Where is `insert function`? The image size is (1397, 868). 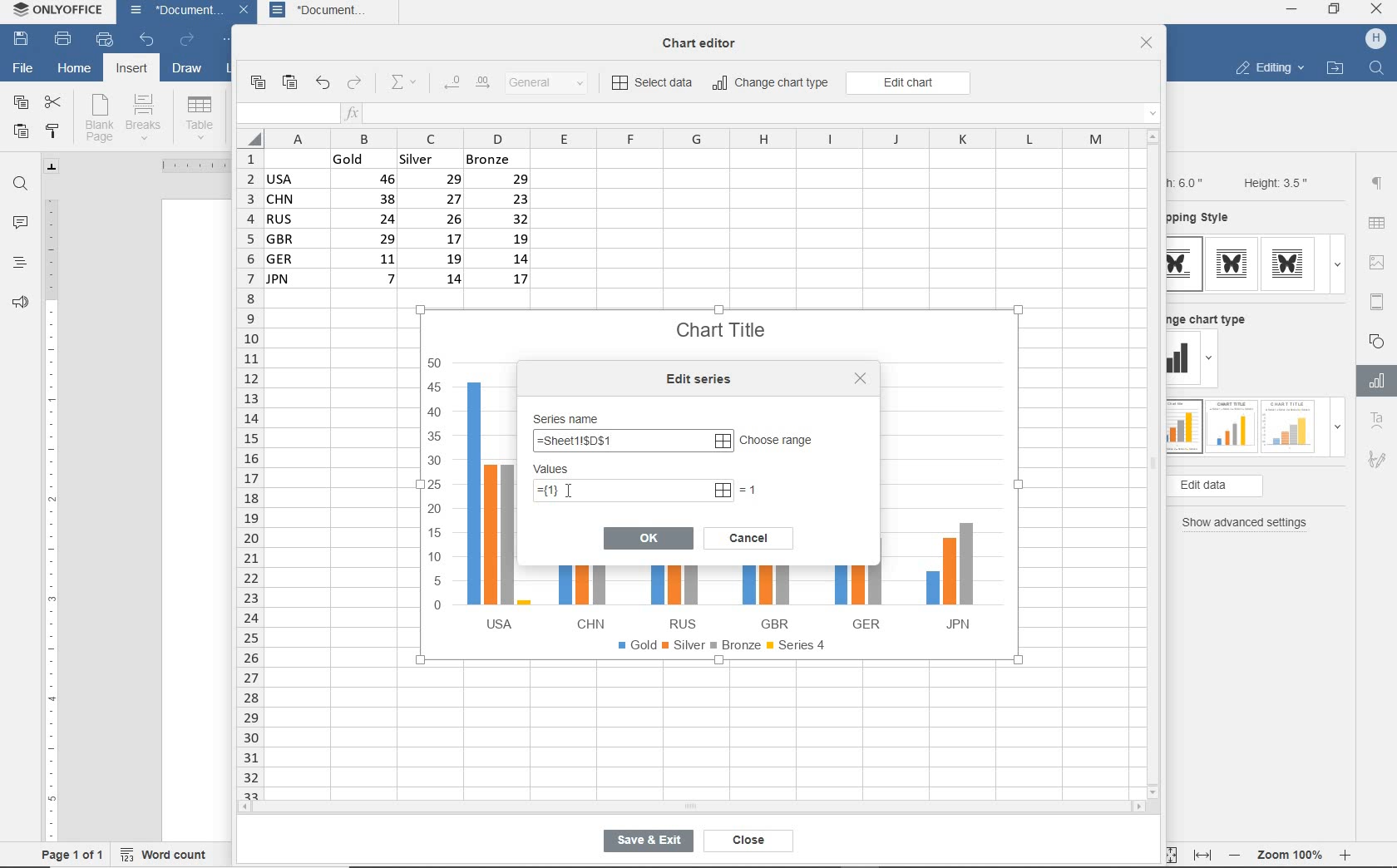
insert function is located at coordinates (753, 114).